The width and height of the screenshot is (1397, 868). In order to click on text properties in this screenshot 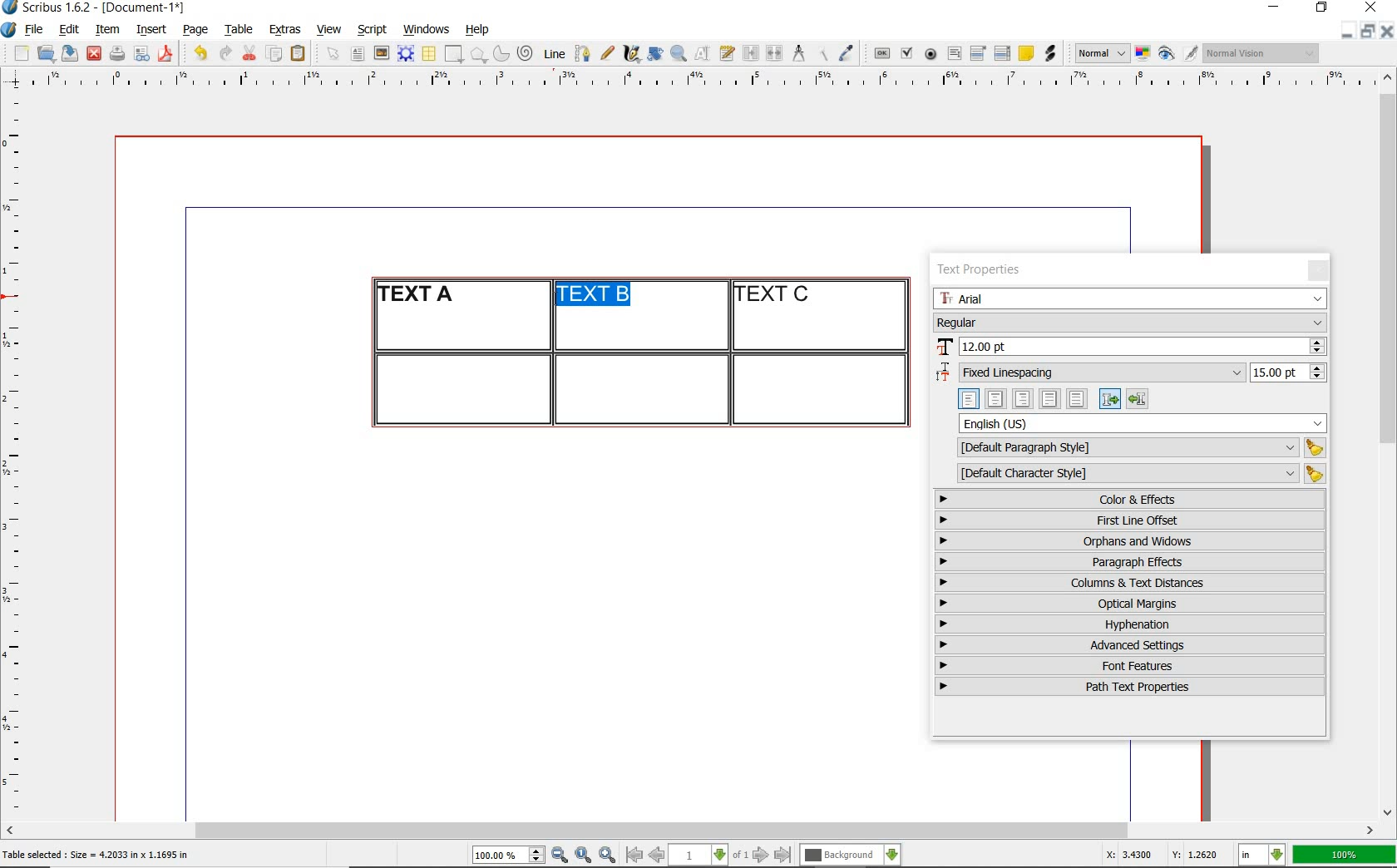, I will do `click(978, 272)`.